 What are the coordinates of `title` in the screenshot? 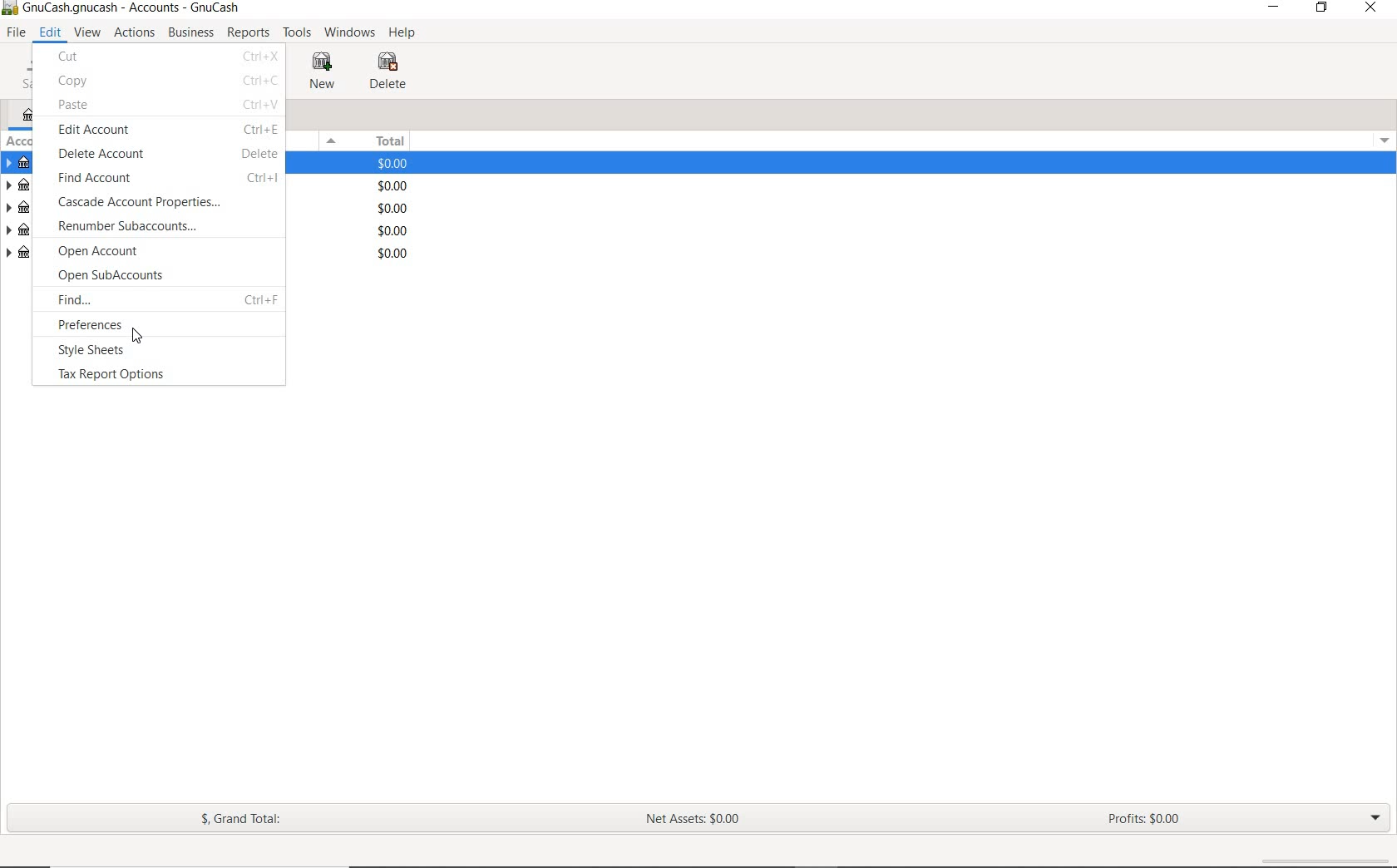 It's located at (132, 9).